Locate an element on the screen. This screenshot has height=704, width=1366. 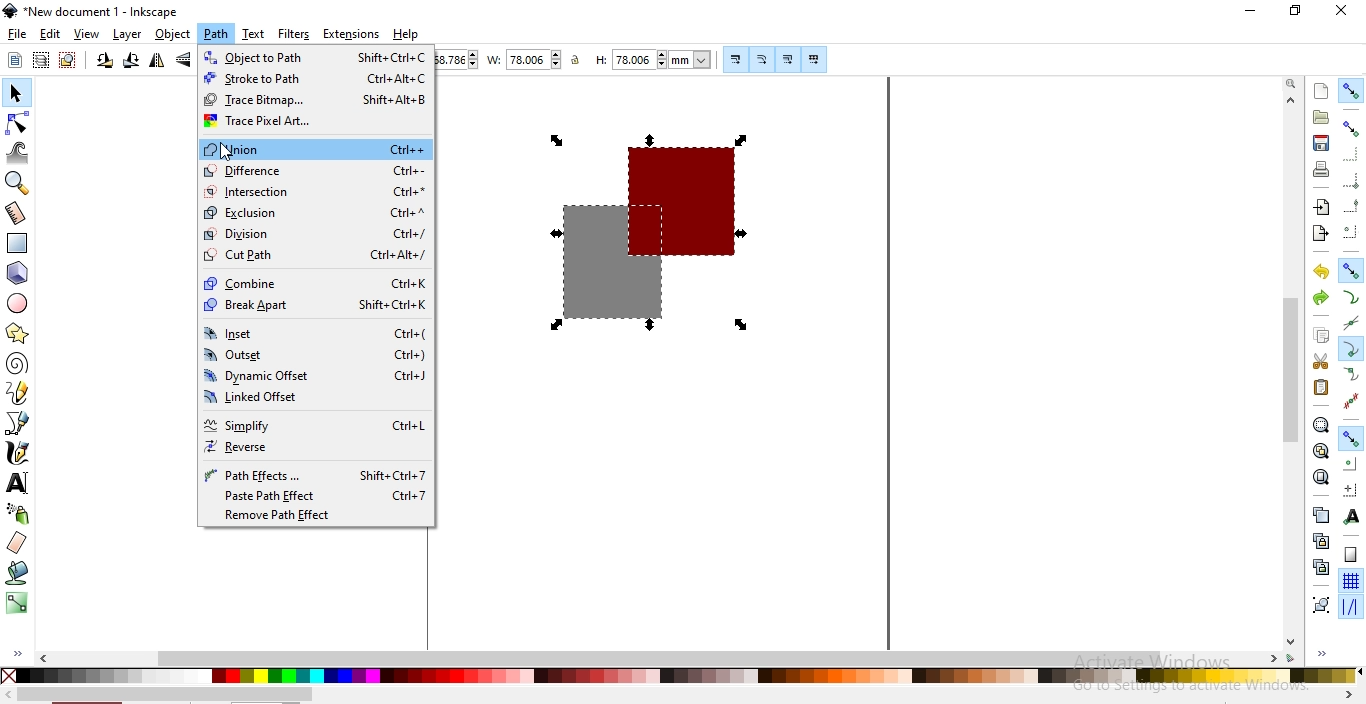
height of selection is located at coordinates (656, 59).